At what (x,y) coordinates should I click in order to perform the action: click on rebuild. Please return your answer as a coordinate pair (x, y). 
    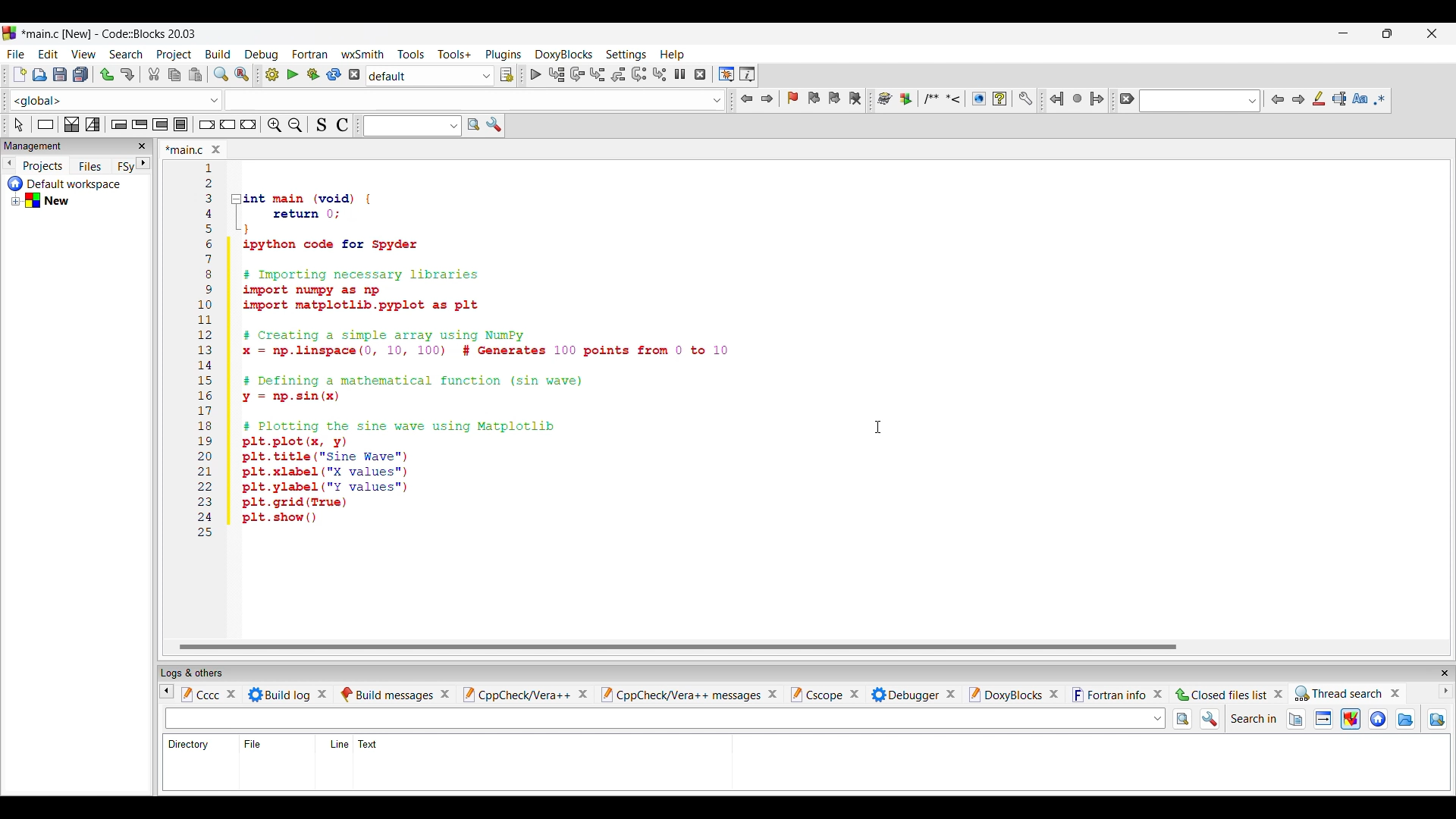
    Looking at the image, I should click on (336, 75).